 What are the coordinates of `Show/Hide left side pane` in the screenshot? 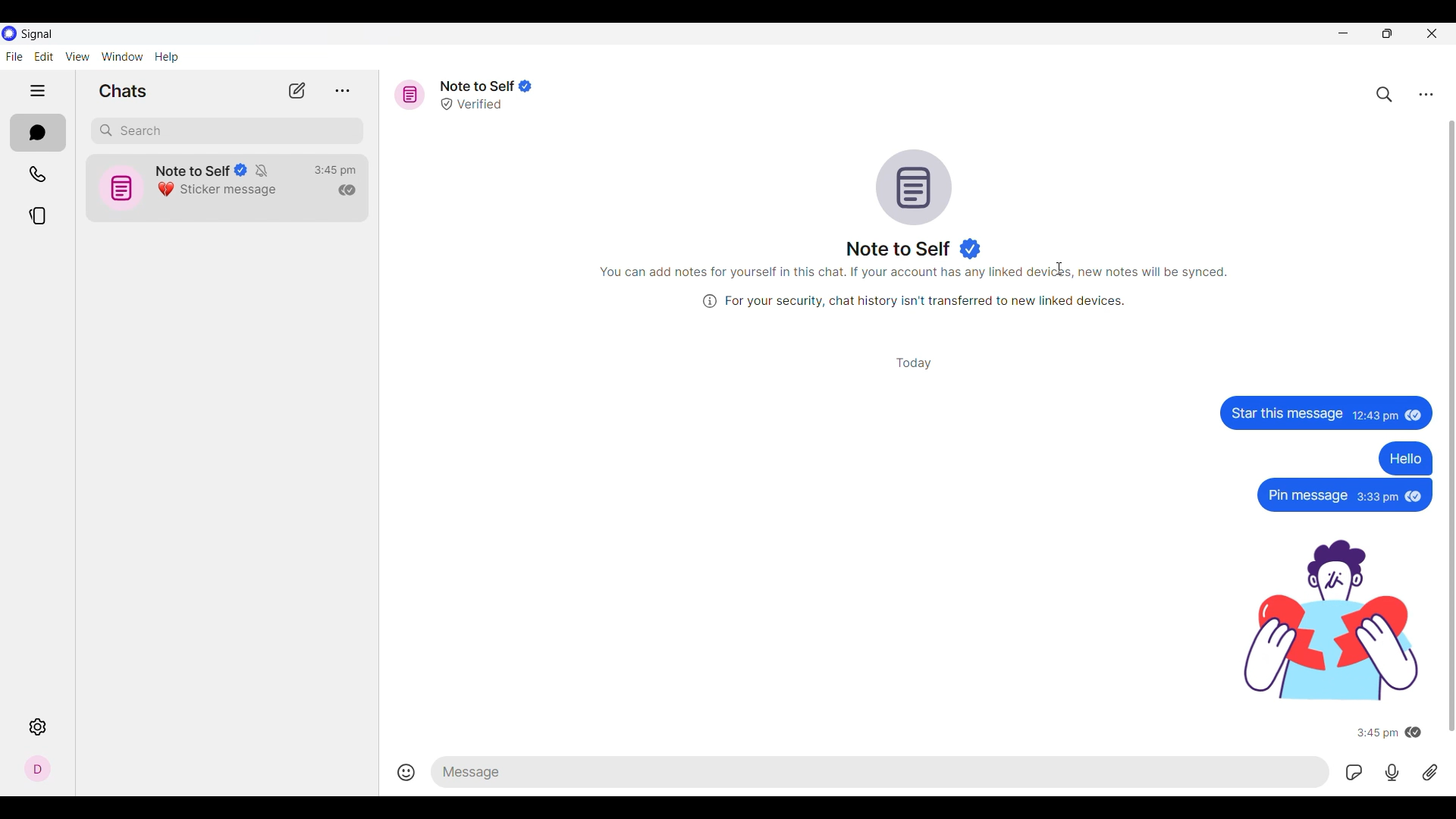 It's located at (37, 90).